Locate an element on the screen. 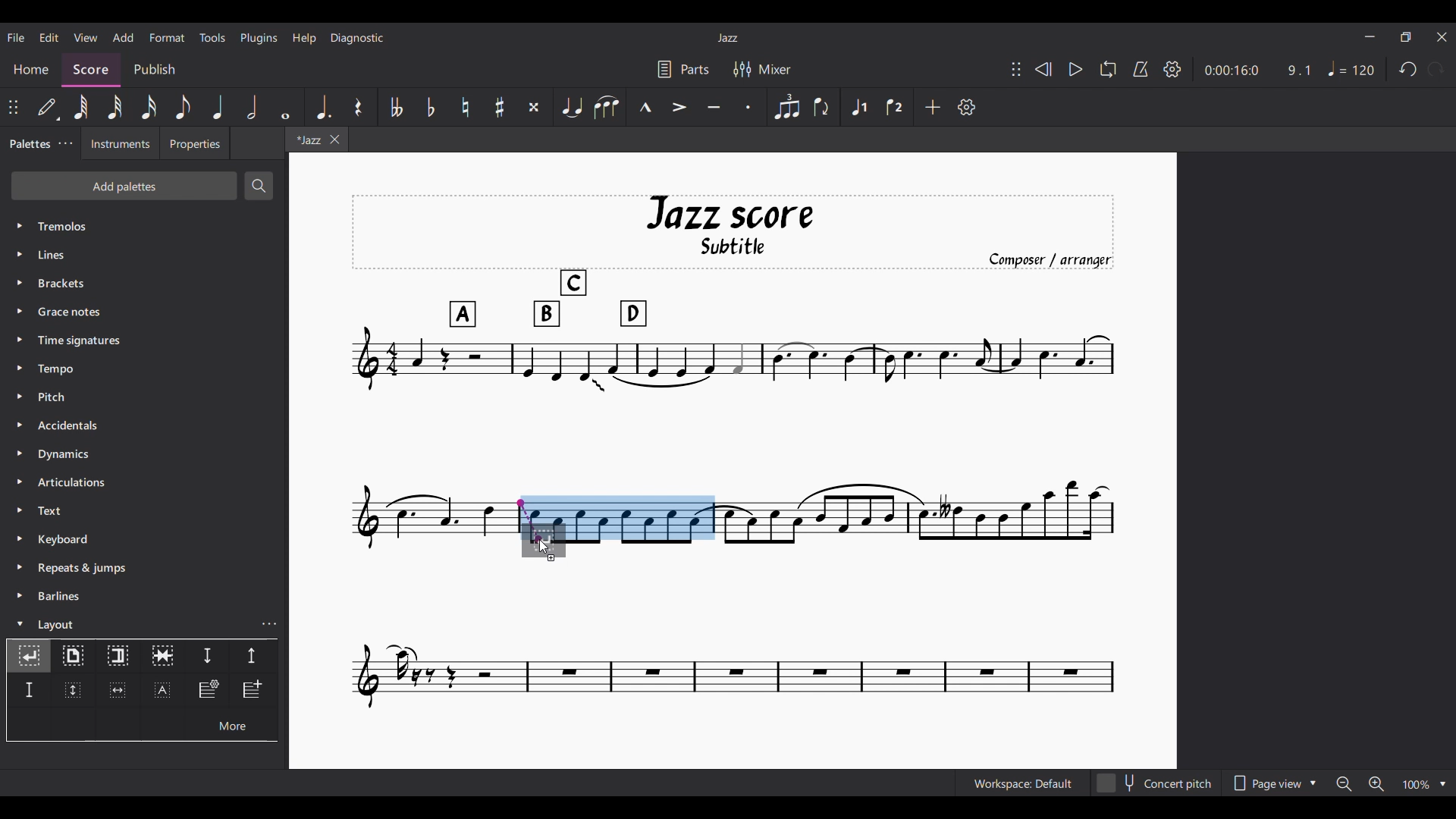  More is located at coordinates (231, 724).